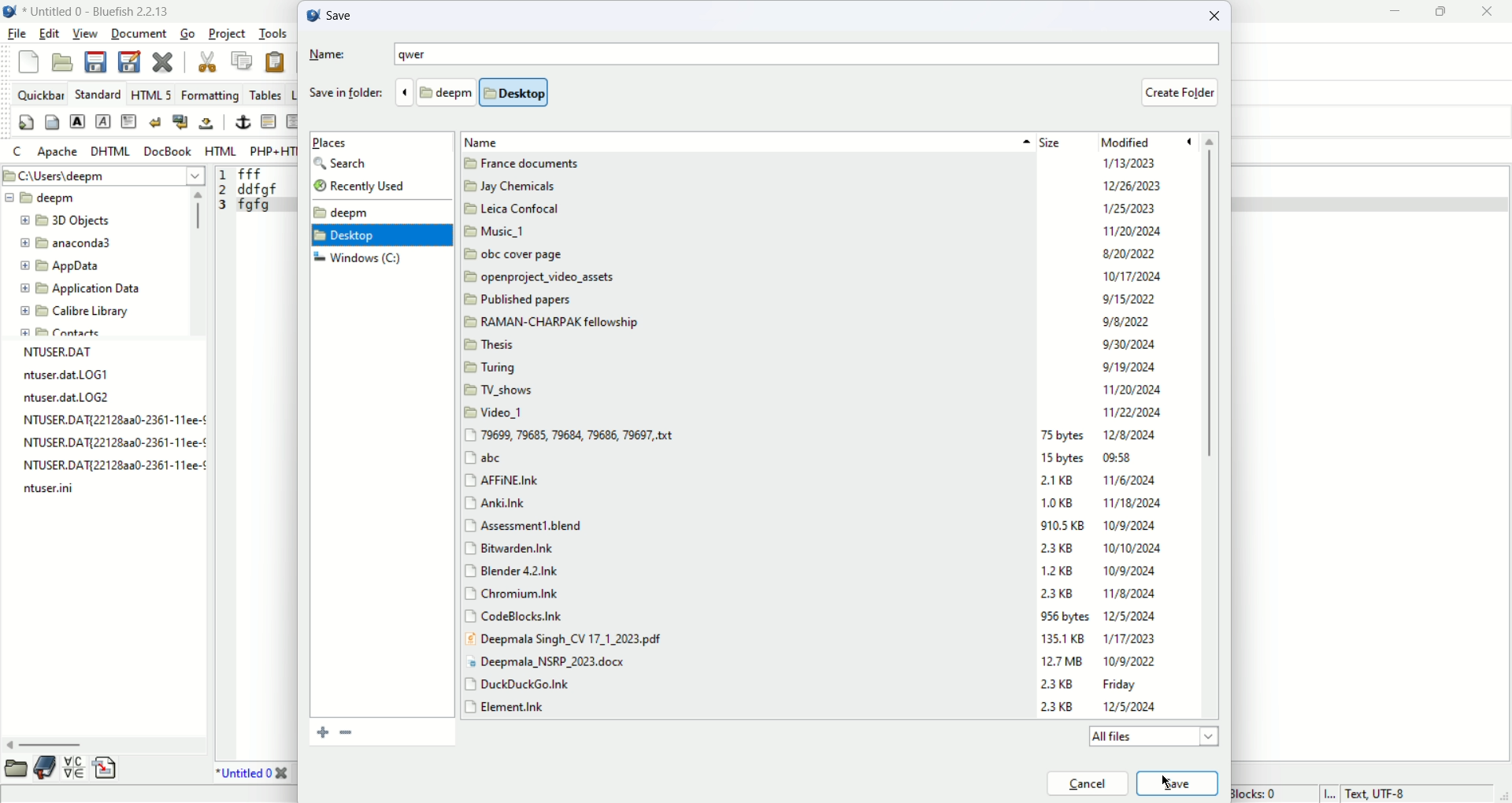 Image resolution: width=1512 pixels, height=803 pixels. Describe the element at coordinates (180, 122) in the screenshot. I see `break and clear` at that location.